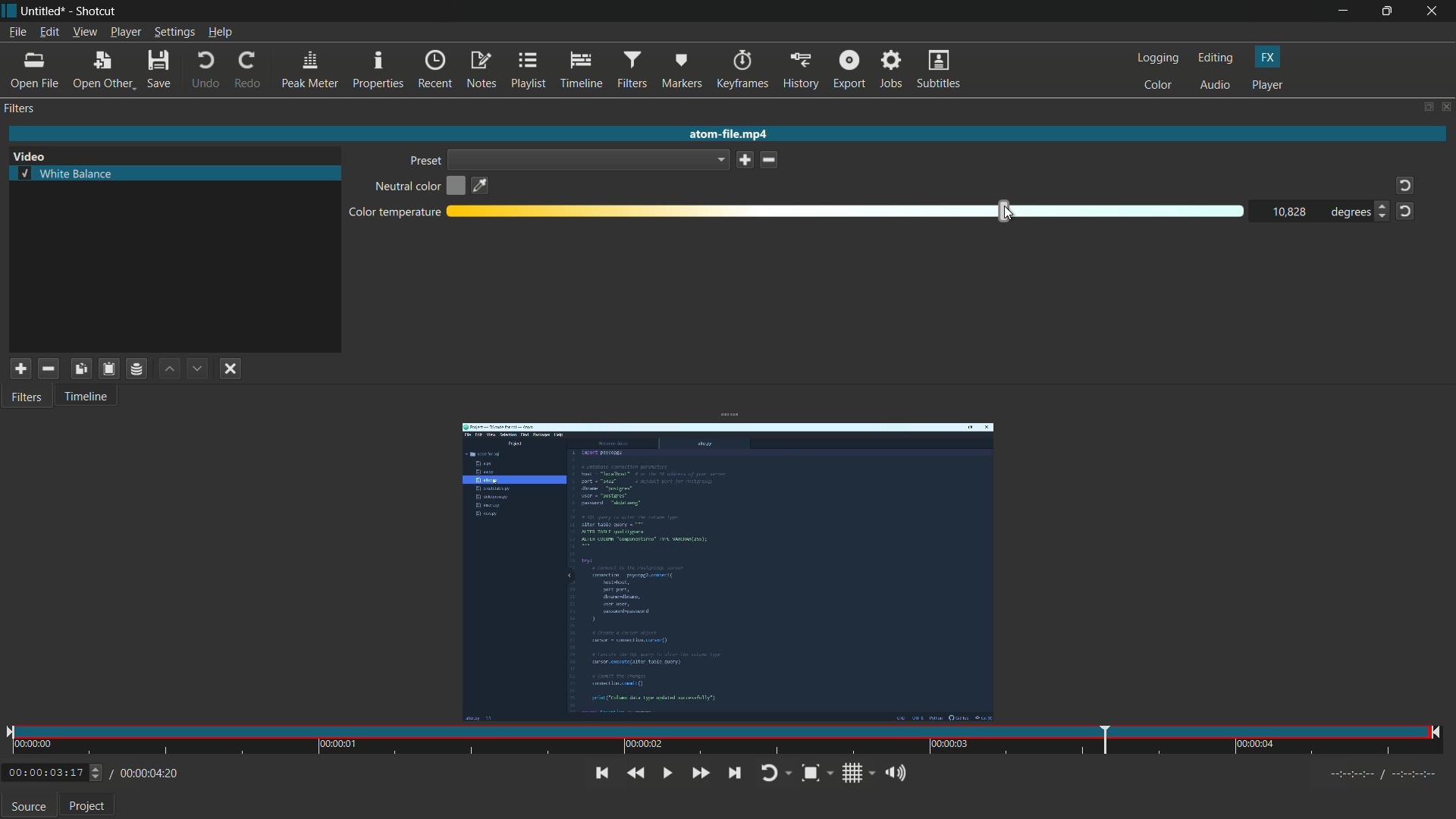 The image size is (1456, 819). I want to click on 10828, so click(1290, 212).